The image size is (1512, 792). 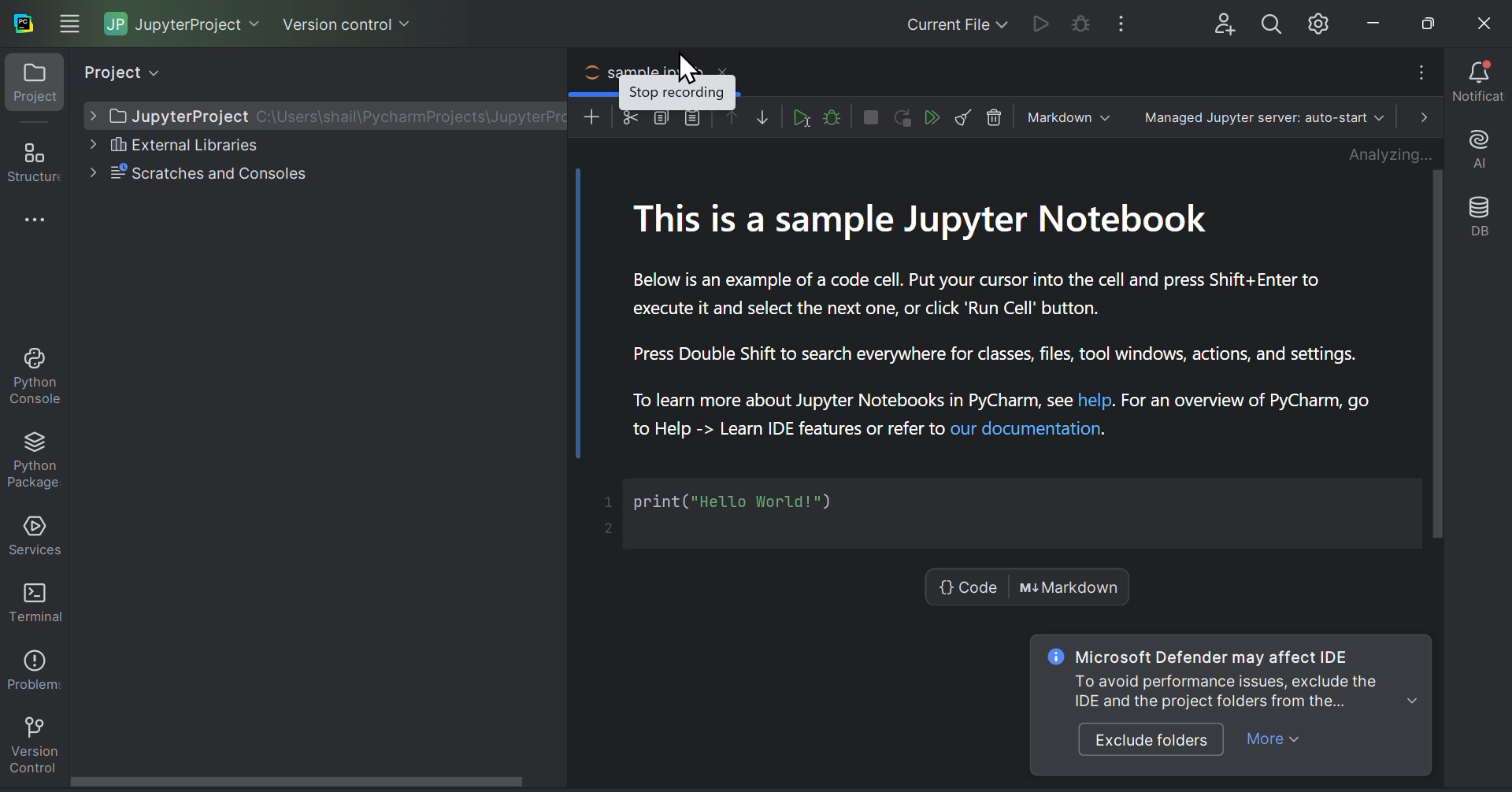 What do you see at coordinates (661, 68) in the screenshot?
I see `Sample` at bounding box center [661, 68].